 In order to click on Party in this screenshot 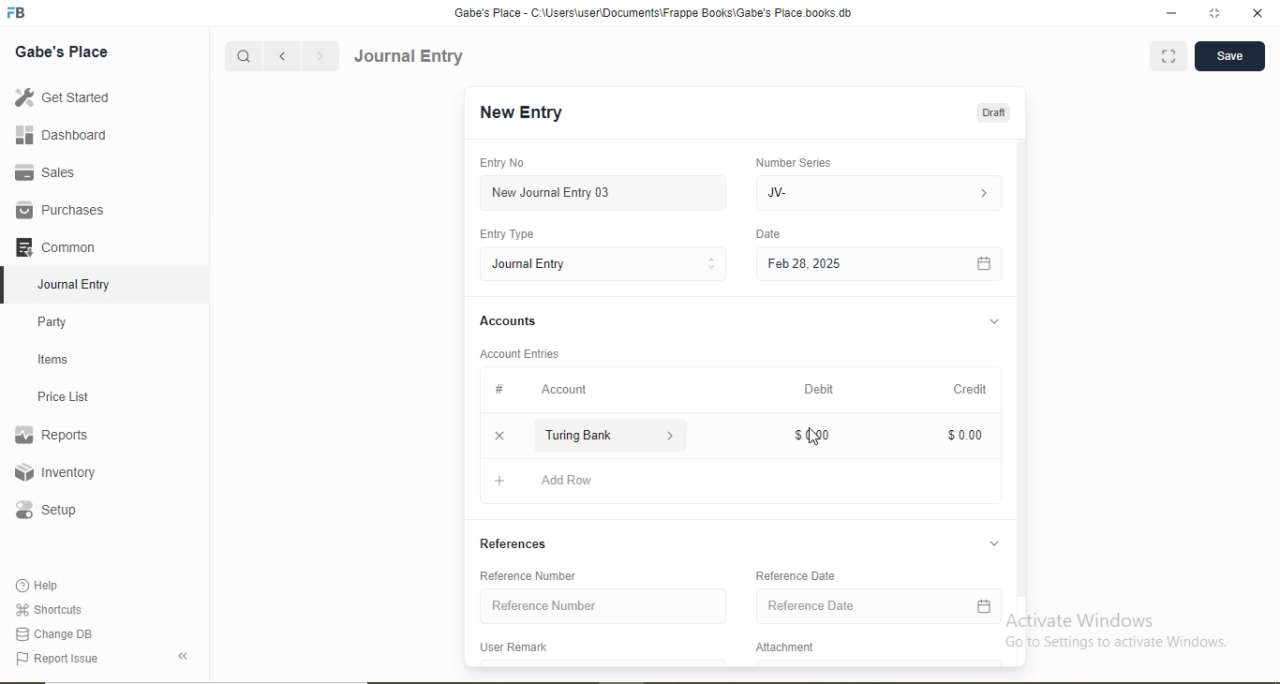, I will do `click(53, 324)`.